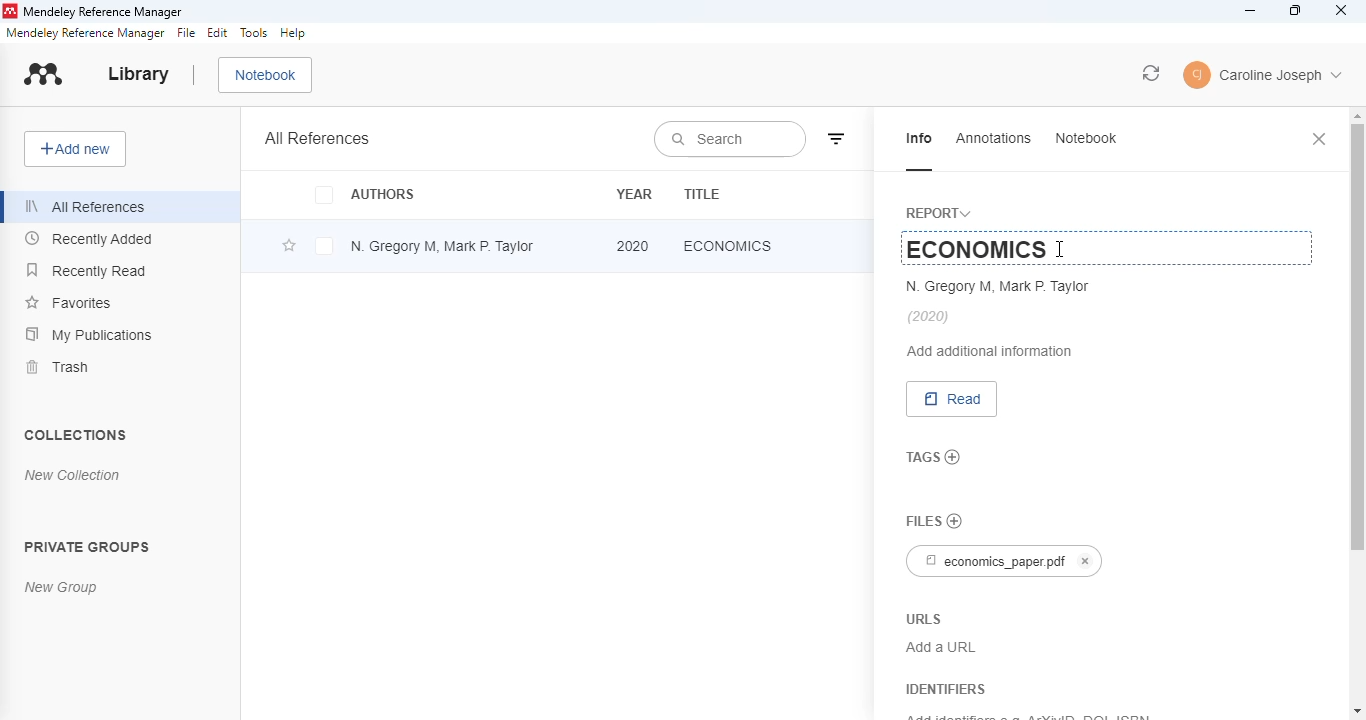 This screenshot has height=720, width=1366. I want to click on logo, so click(10, 11).